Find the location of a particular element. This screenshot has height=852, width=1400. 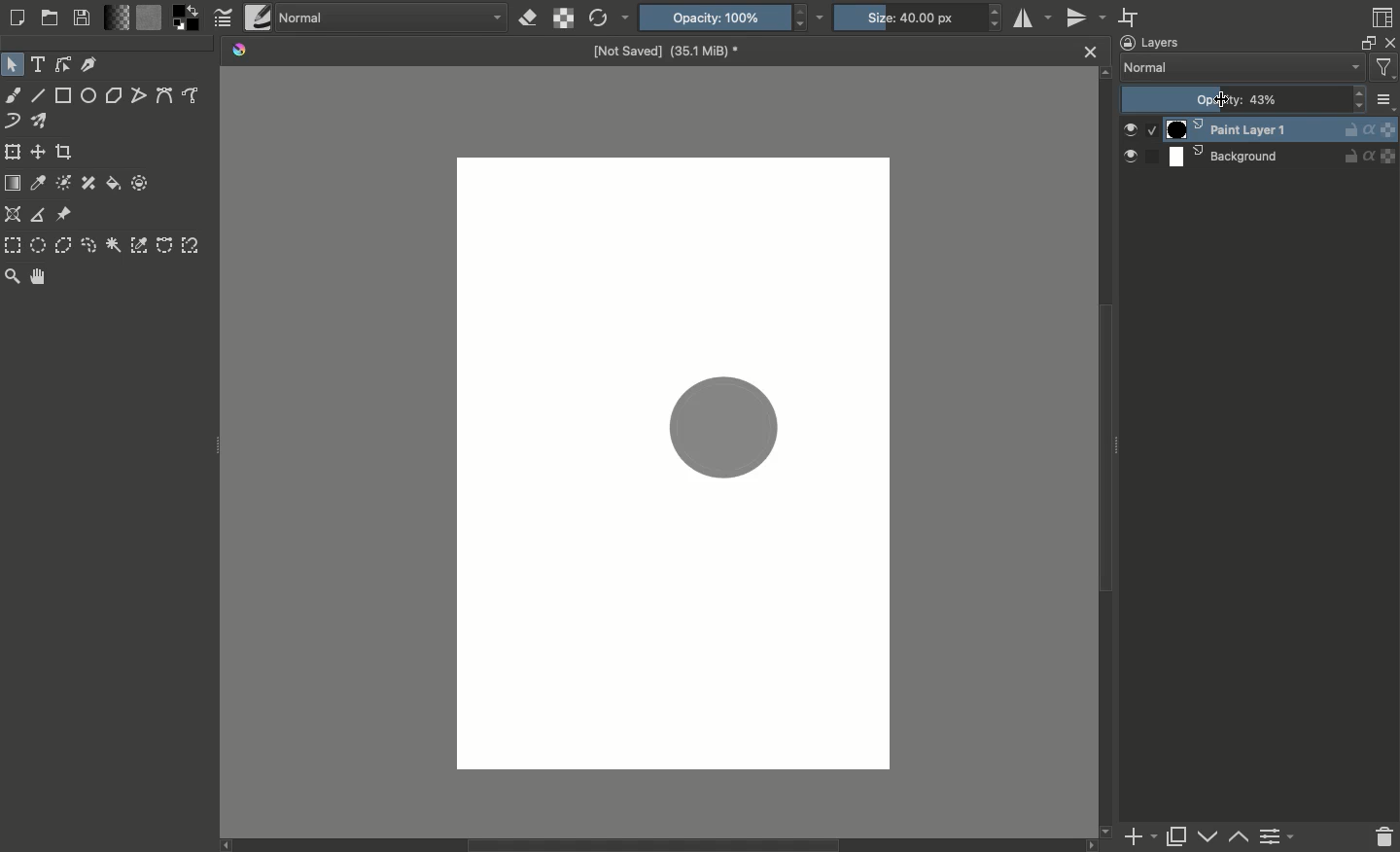

Background is located at coordinates (1251, 155).